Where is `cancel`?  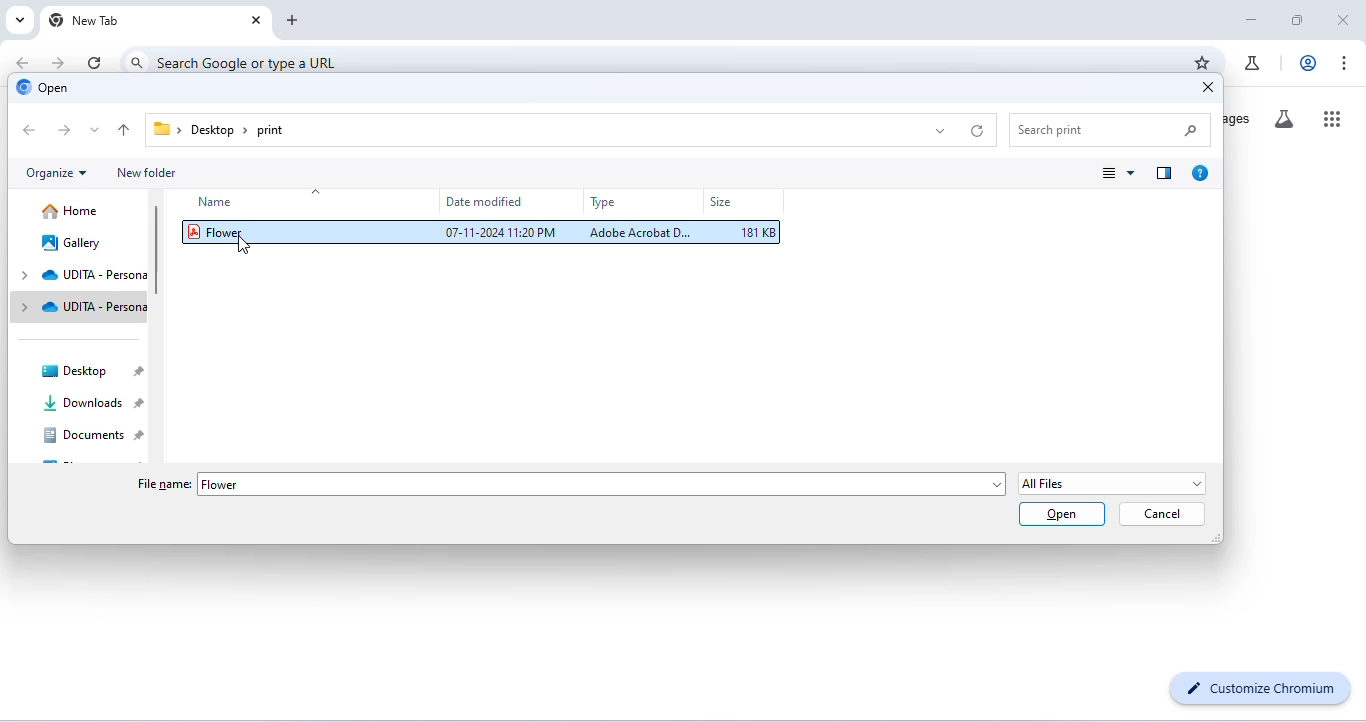 cancel is located at coordinates (1161, 515).